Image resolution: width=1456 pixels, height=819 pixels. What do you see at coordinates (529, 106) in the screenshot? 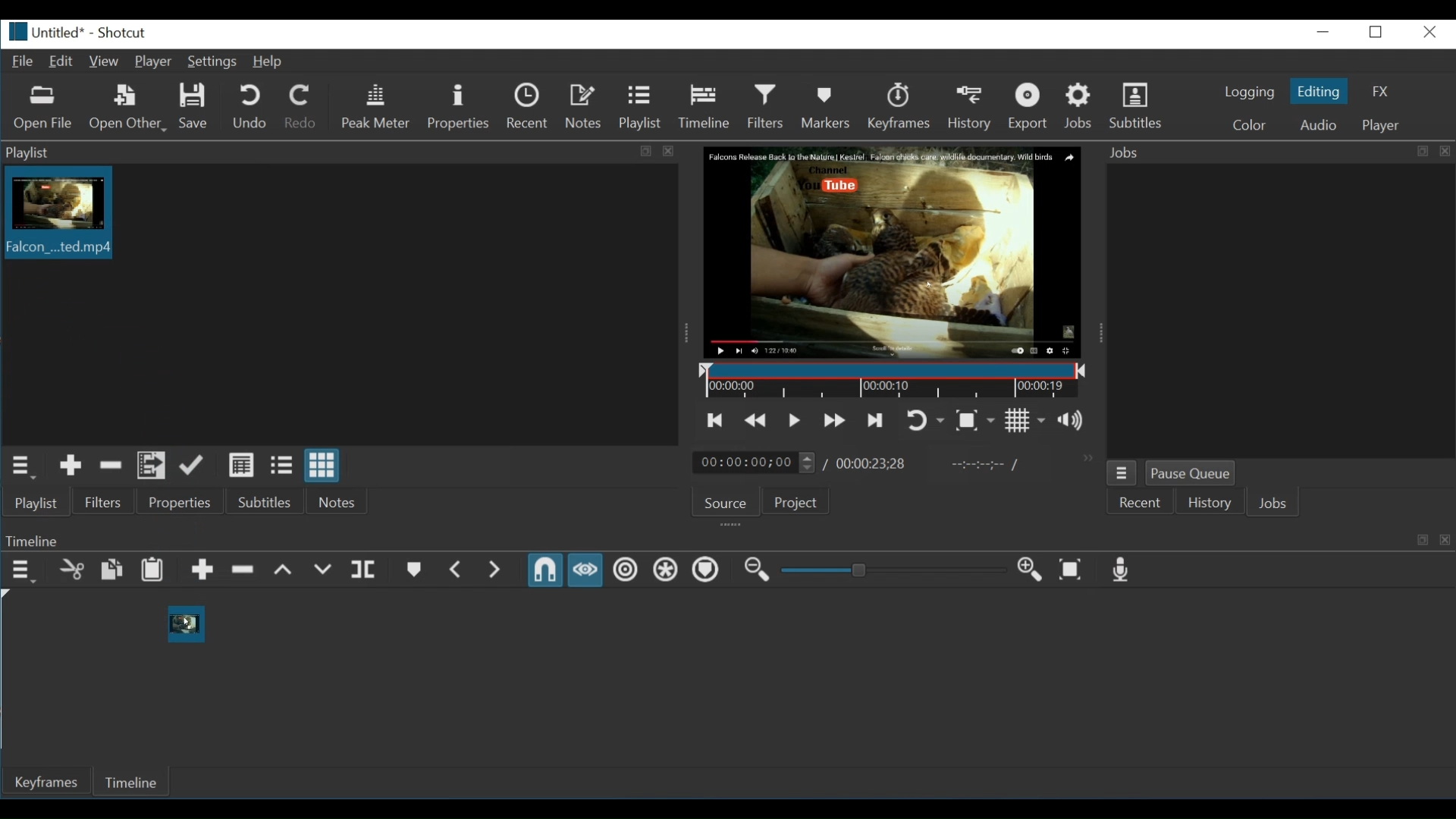
I see `Recent` at bounding box center [529, 106].